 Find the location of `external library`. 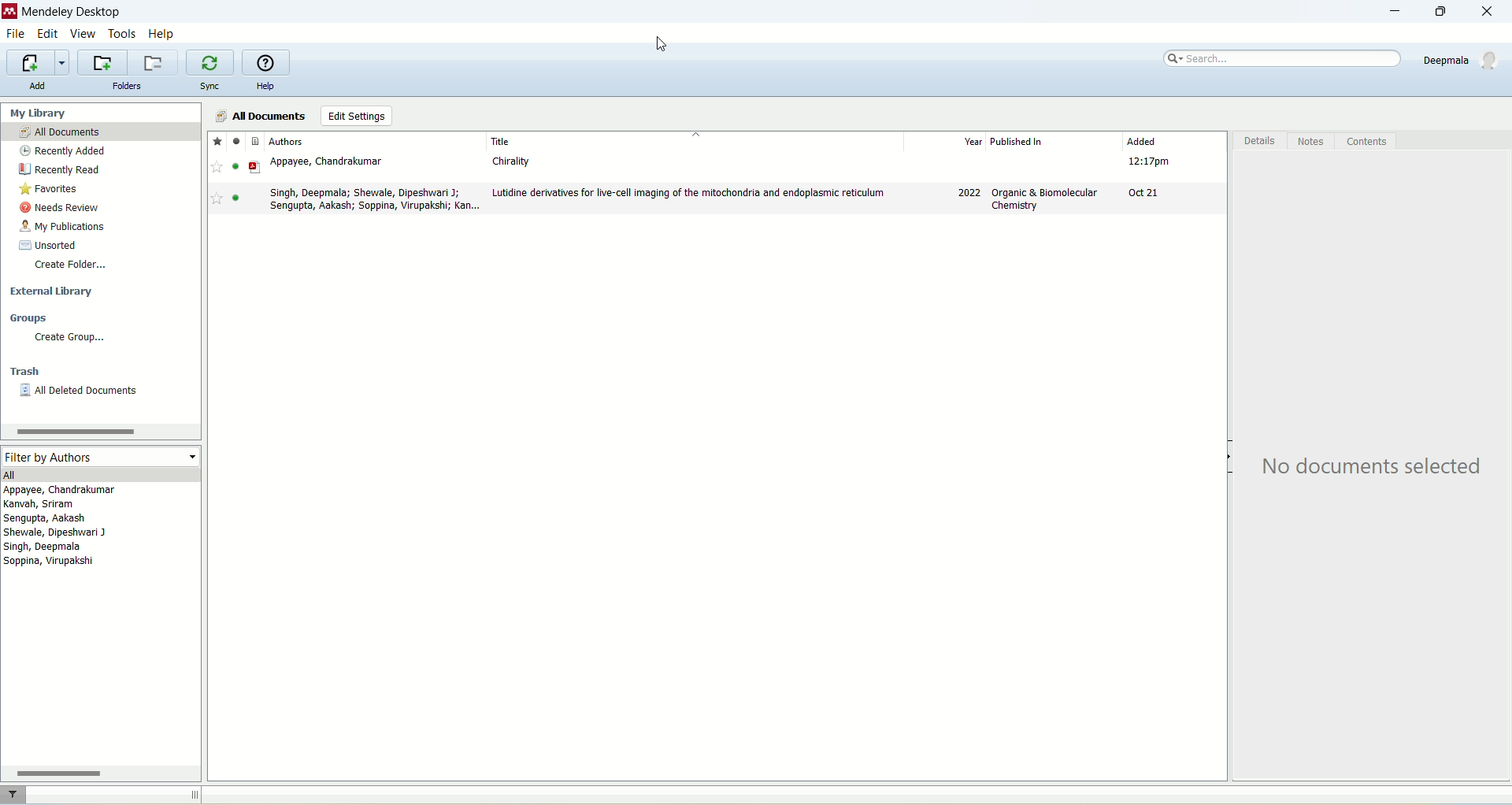

external library is located at coordinates (50, 292).